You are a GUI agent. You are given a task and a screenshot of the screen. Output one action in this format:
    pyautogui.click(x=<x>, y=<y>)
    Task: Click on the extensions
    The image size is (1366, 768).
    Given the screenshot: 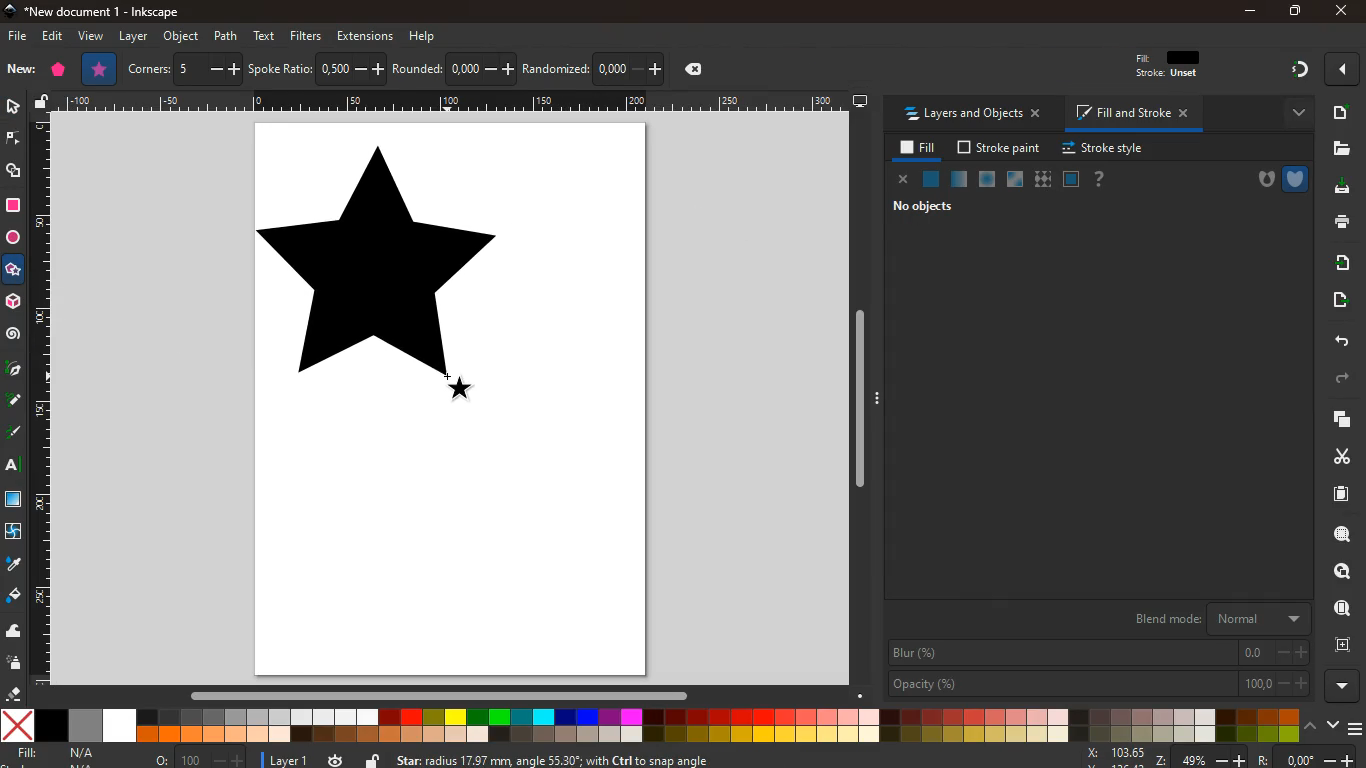 What is the action you would take?
    pyautogui.click(x=365, y=35)
    